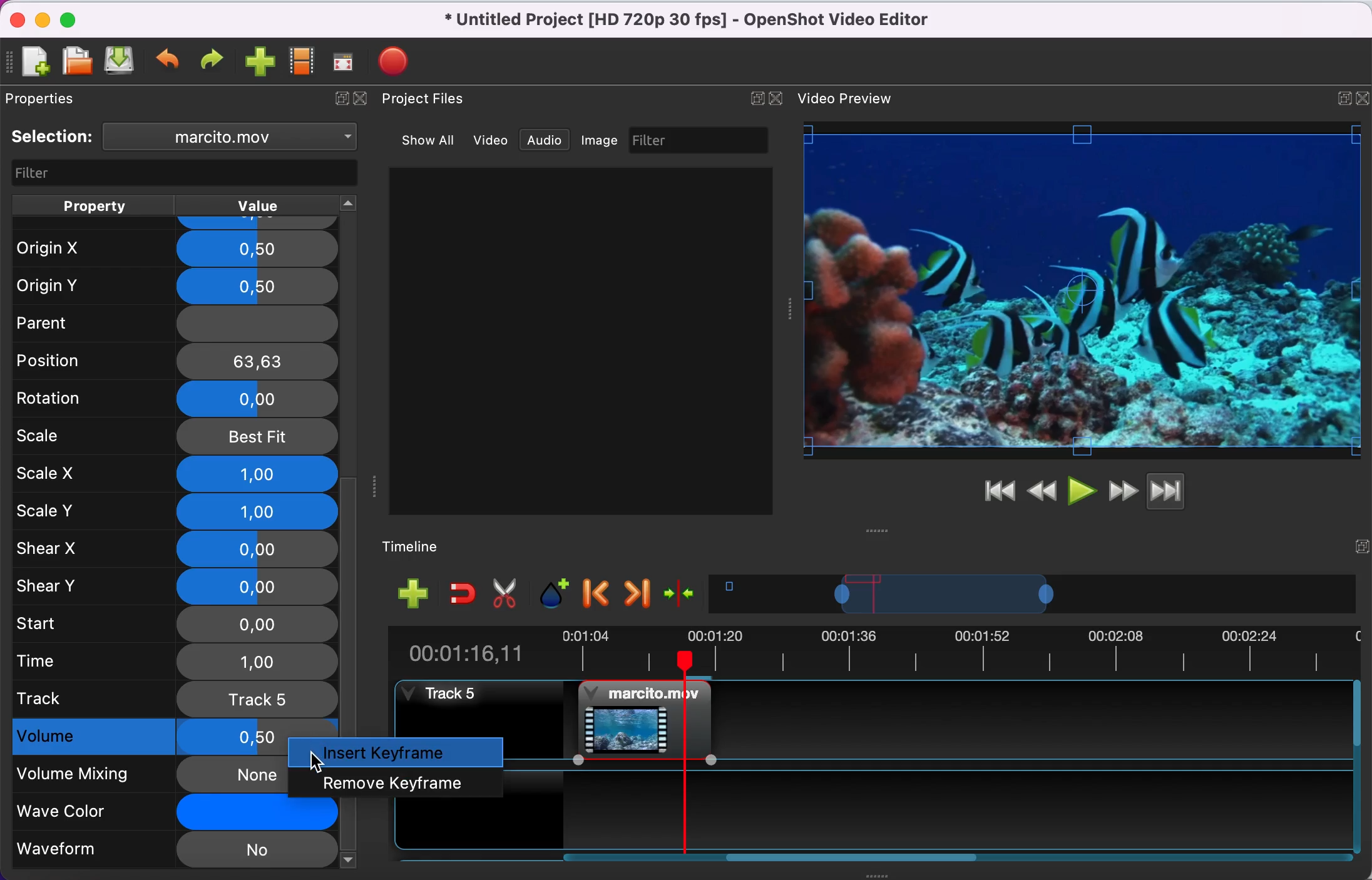  What do you see at coordinates (175, 550) in the screenshot?
I see `shear x 0` at bounding box center [175, 550].